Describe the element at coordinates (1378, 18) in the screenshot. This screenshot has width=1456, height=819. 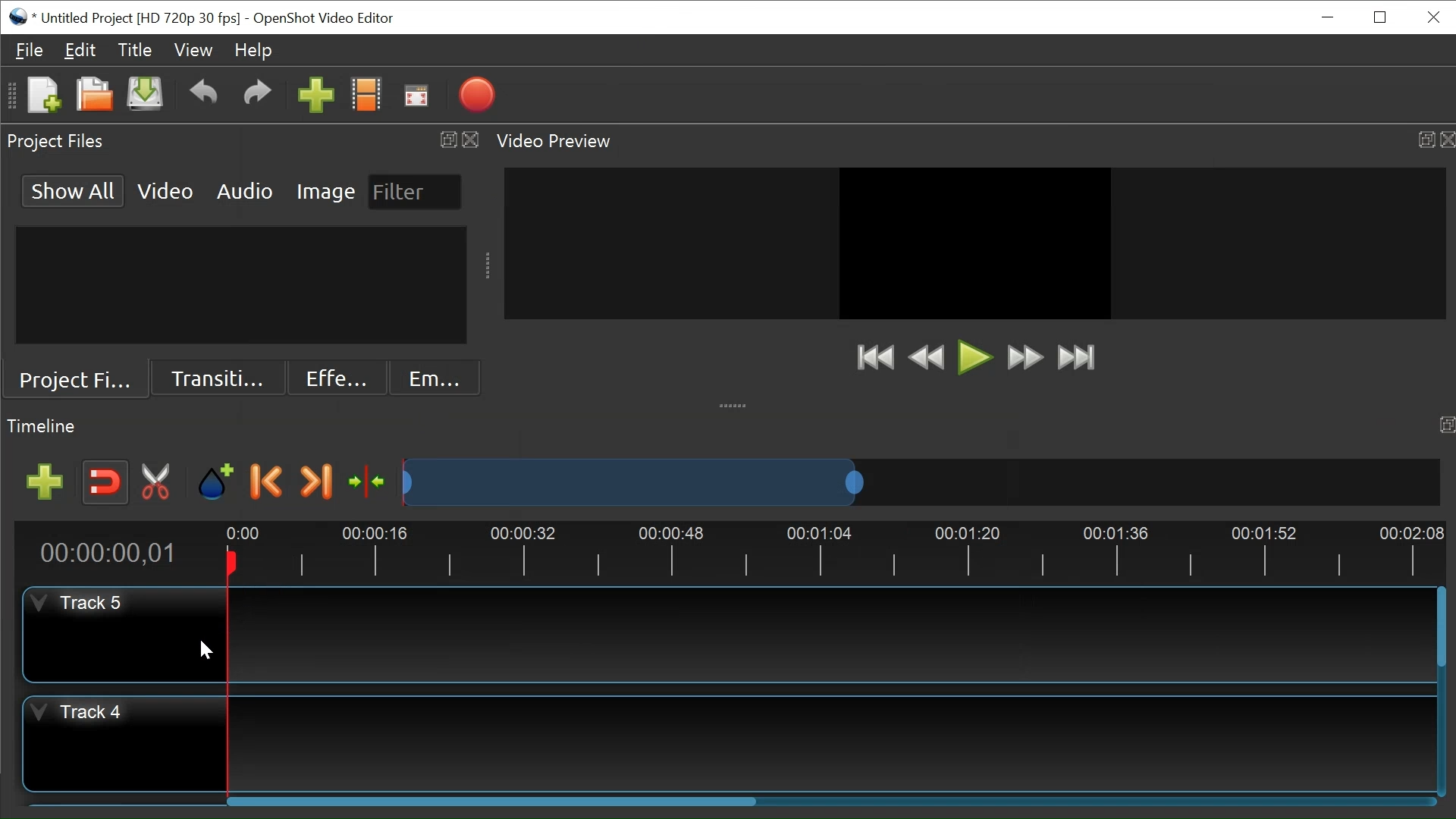
I see `Restore` at that location.